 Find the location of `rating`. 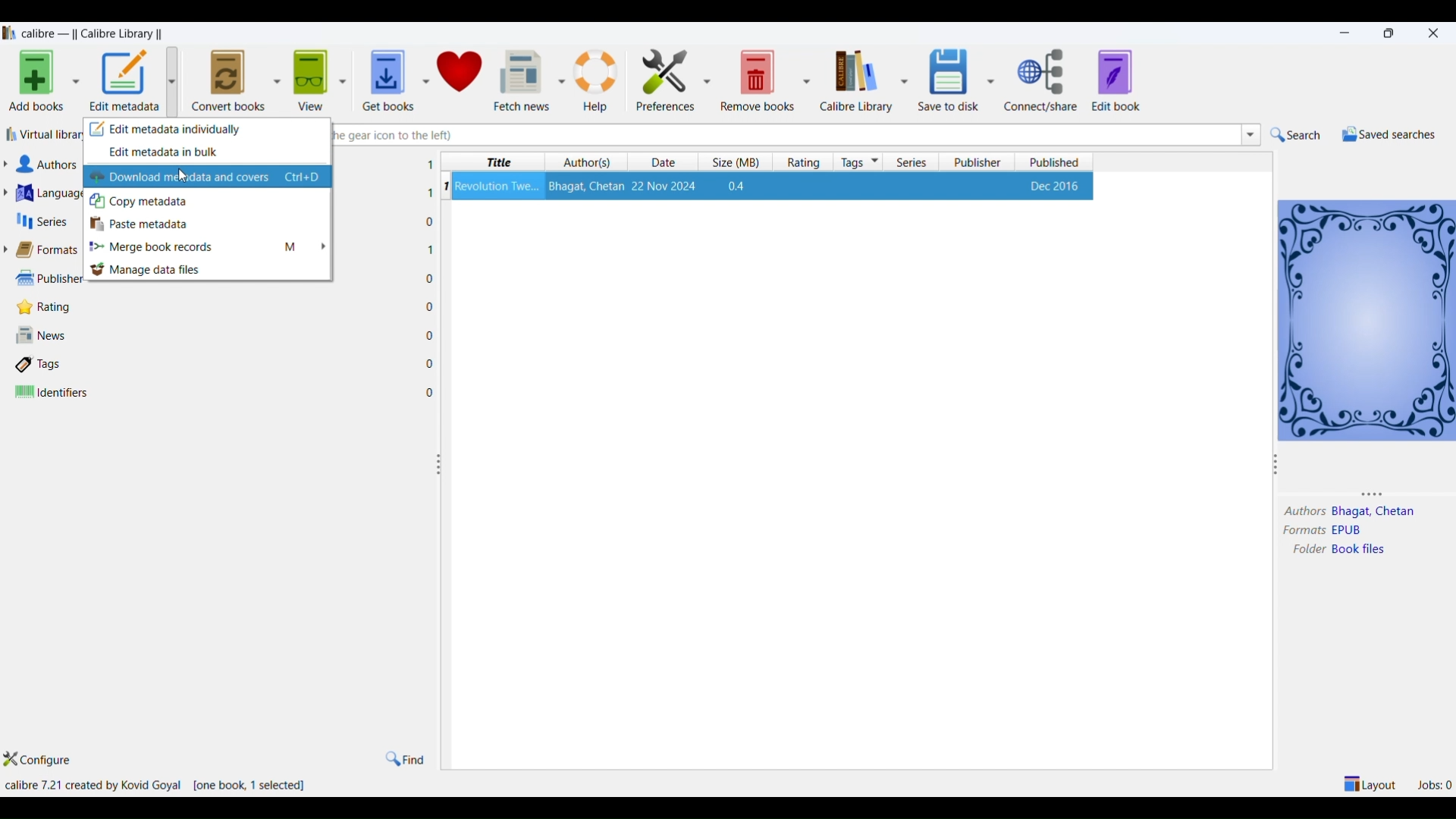

rating is located at coordinates (799, 162).